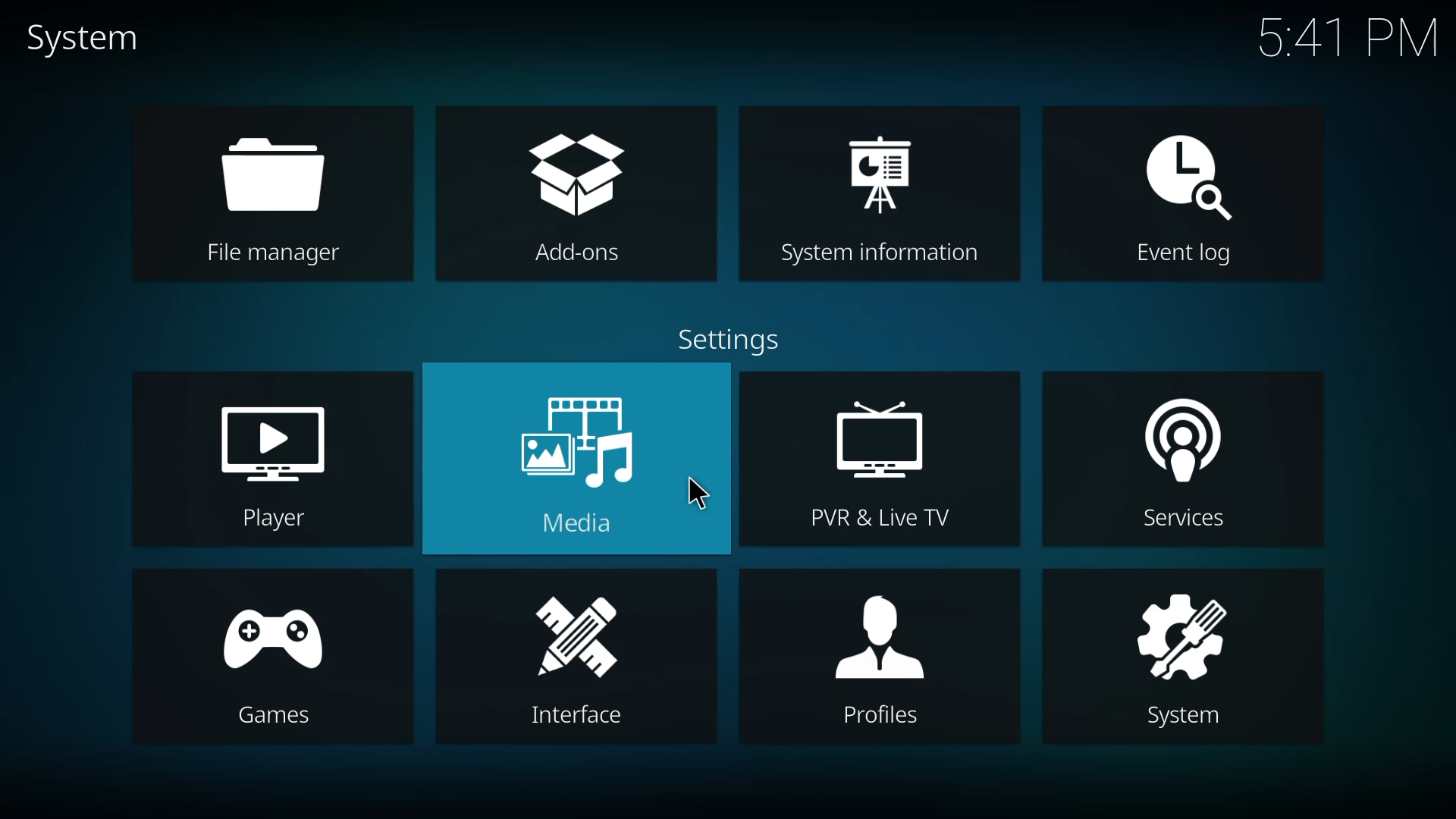  I want to click on profiles, so click(885, 660).